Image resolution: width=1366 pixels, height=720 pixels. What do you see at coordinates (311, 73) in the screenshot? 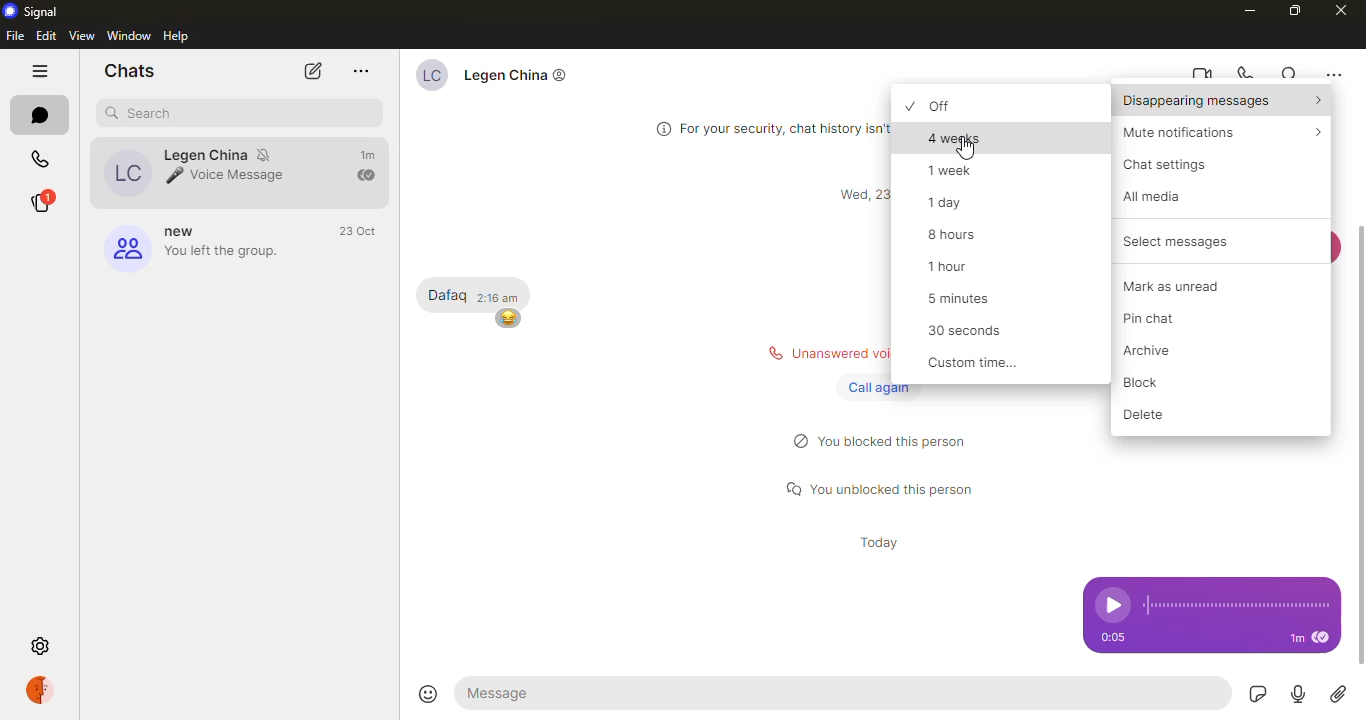
I see `new chat` at bounding box center [311, 73].